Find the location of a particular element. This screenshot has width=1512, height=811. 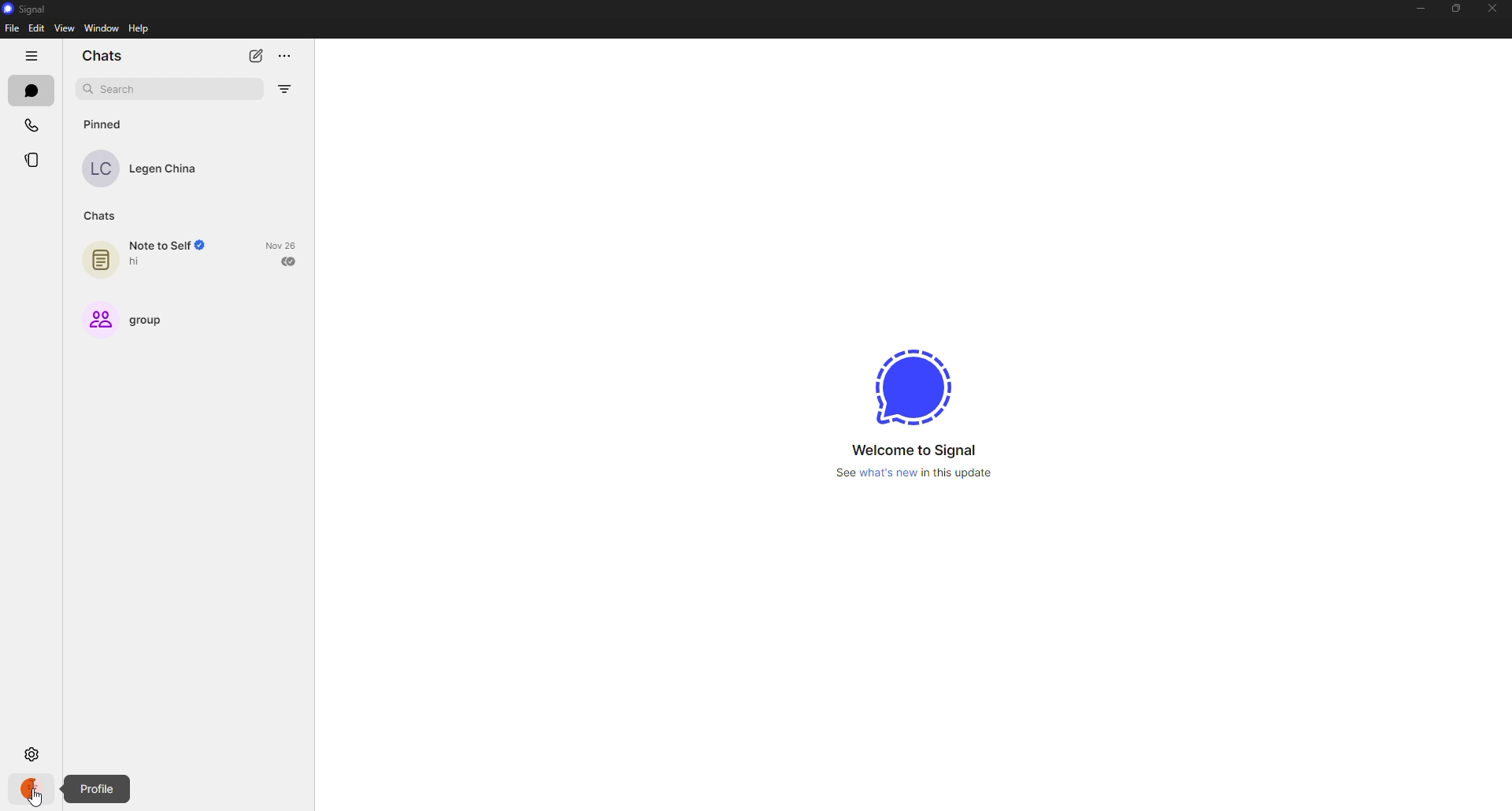

minimize is located at coordinates (1415, 10).